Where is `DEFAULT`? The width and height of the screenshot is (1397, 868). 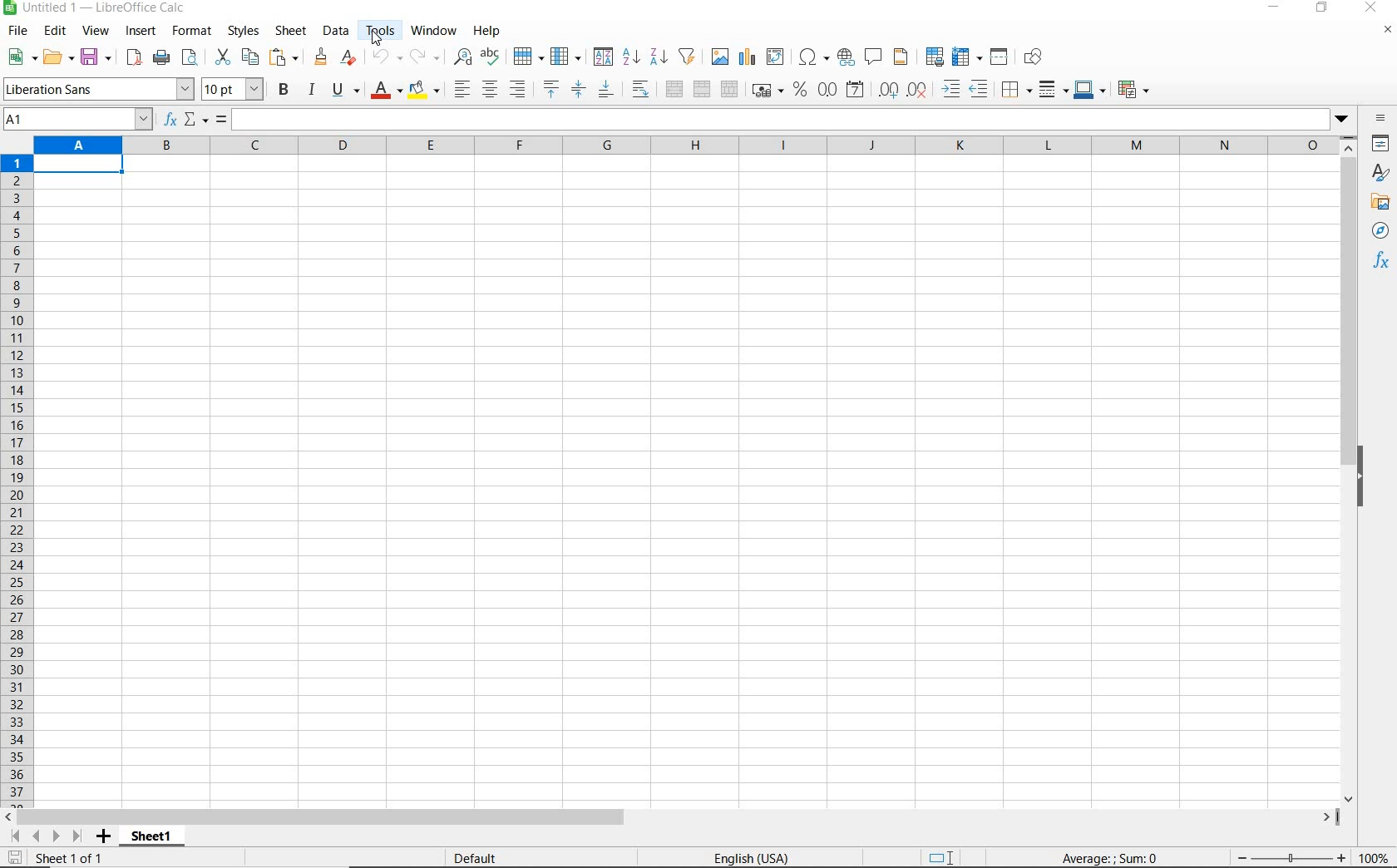
DEFAULT is located at coordinates (473, 856).